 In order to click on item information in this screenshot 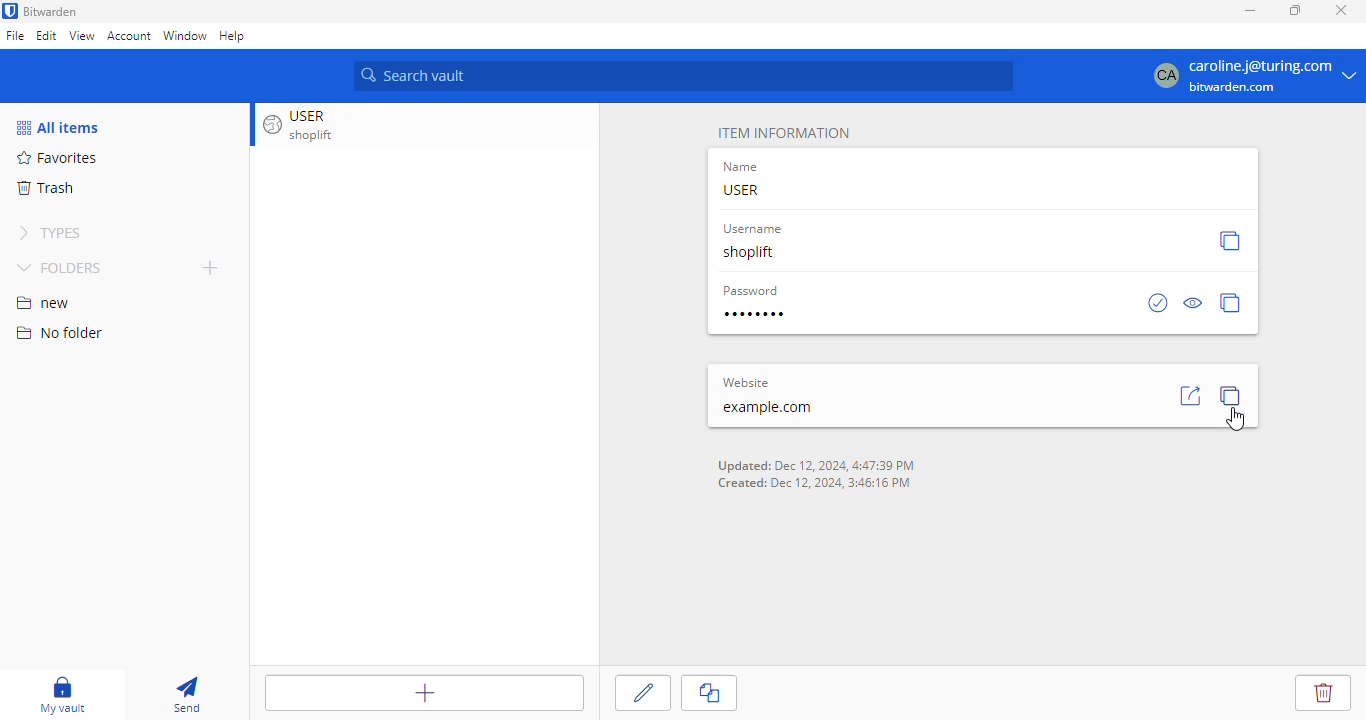, I will do `click(783, 133)`.